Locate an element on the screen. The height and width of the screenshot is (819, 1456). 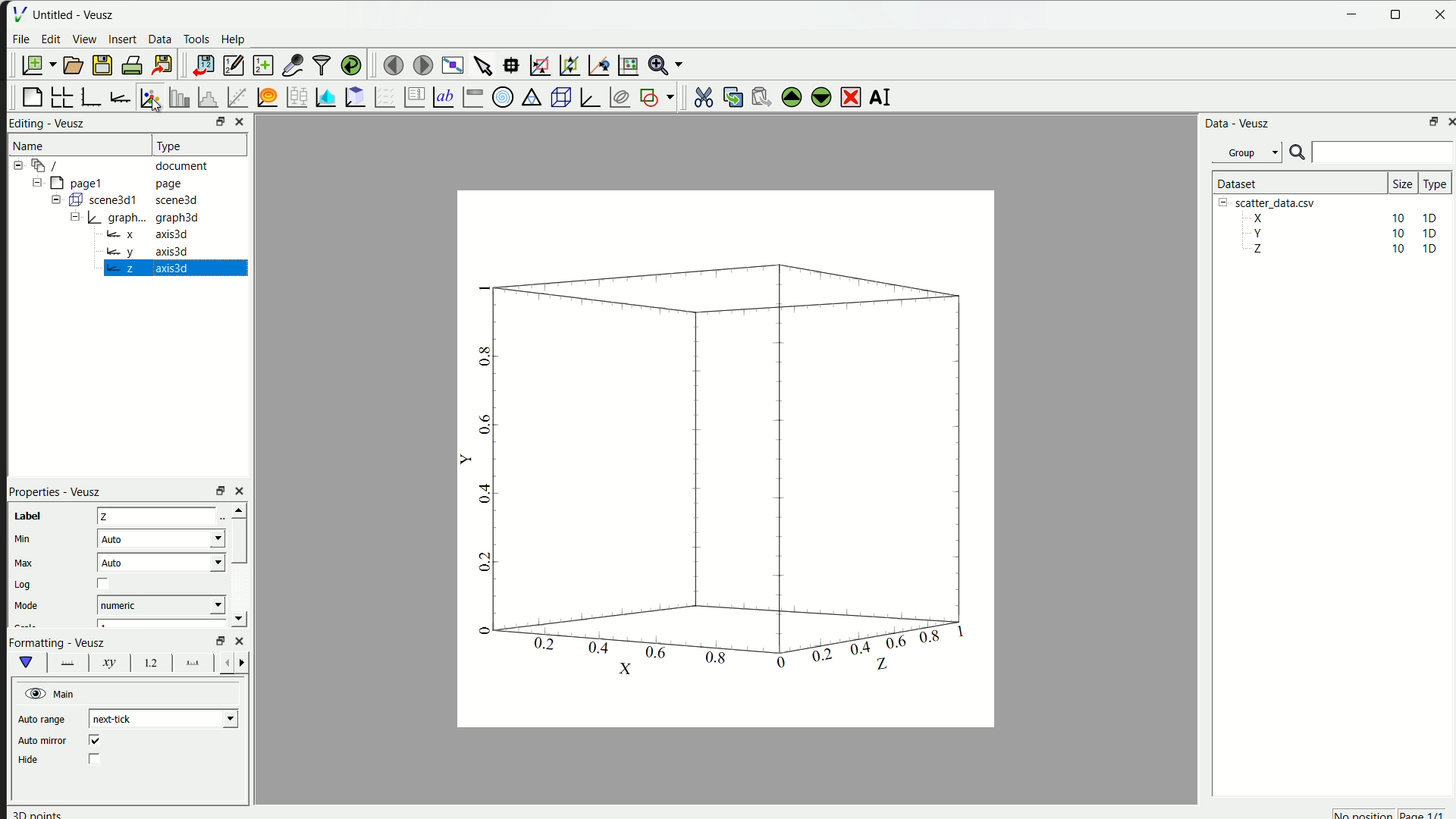
close is located at coordinates (242, 491).